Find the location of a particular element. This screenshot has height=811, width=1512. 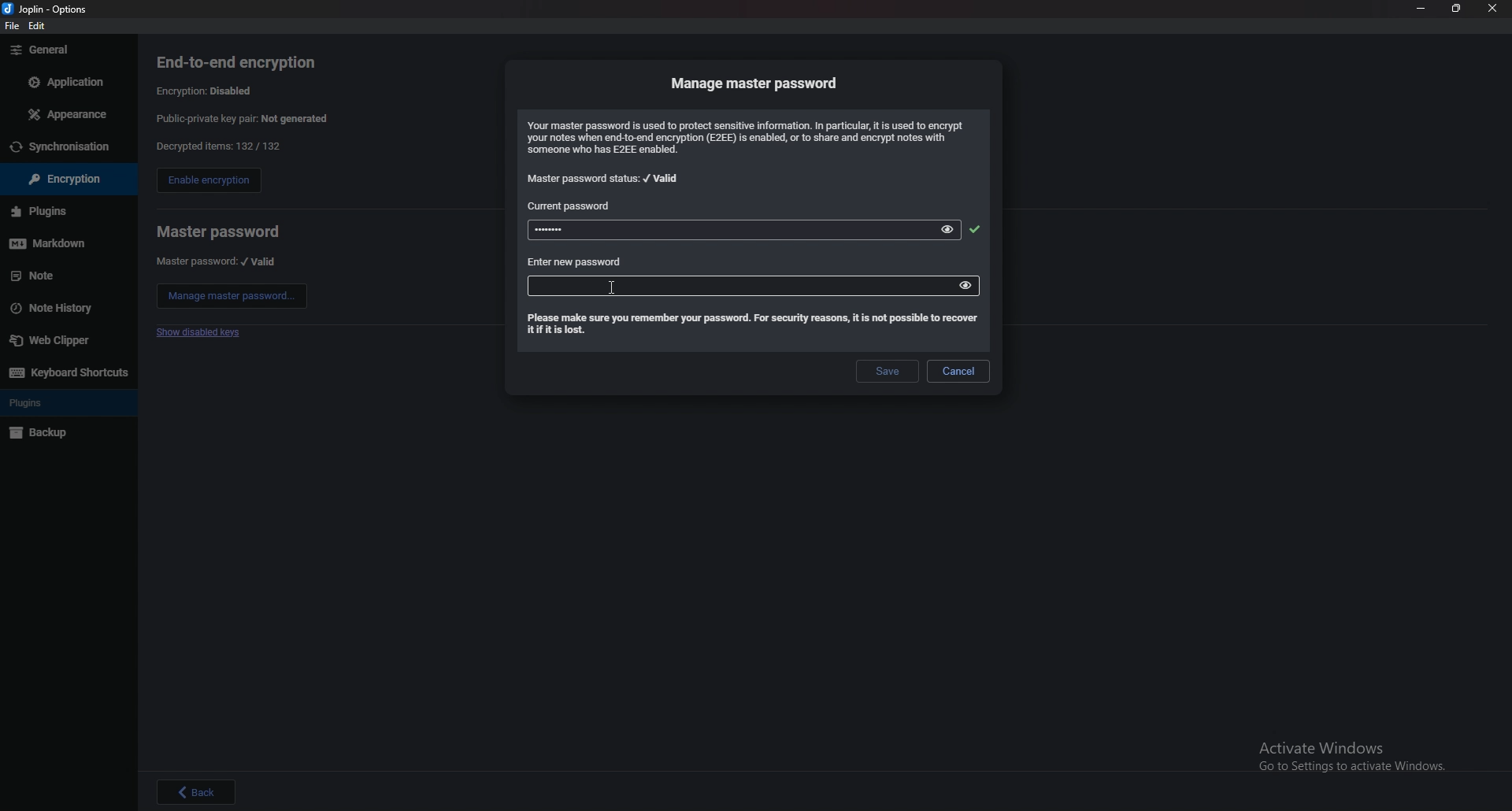

password is located at coordinates (717, 231).